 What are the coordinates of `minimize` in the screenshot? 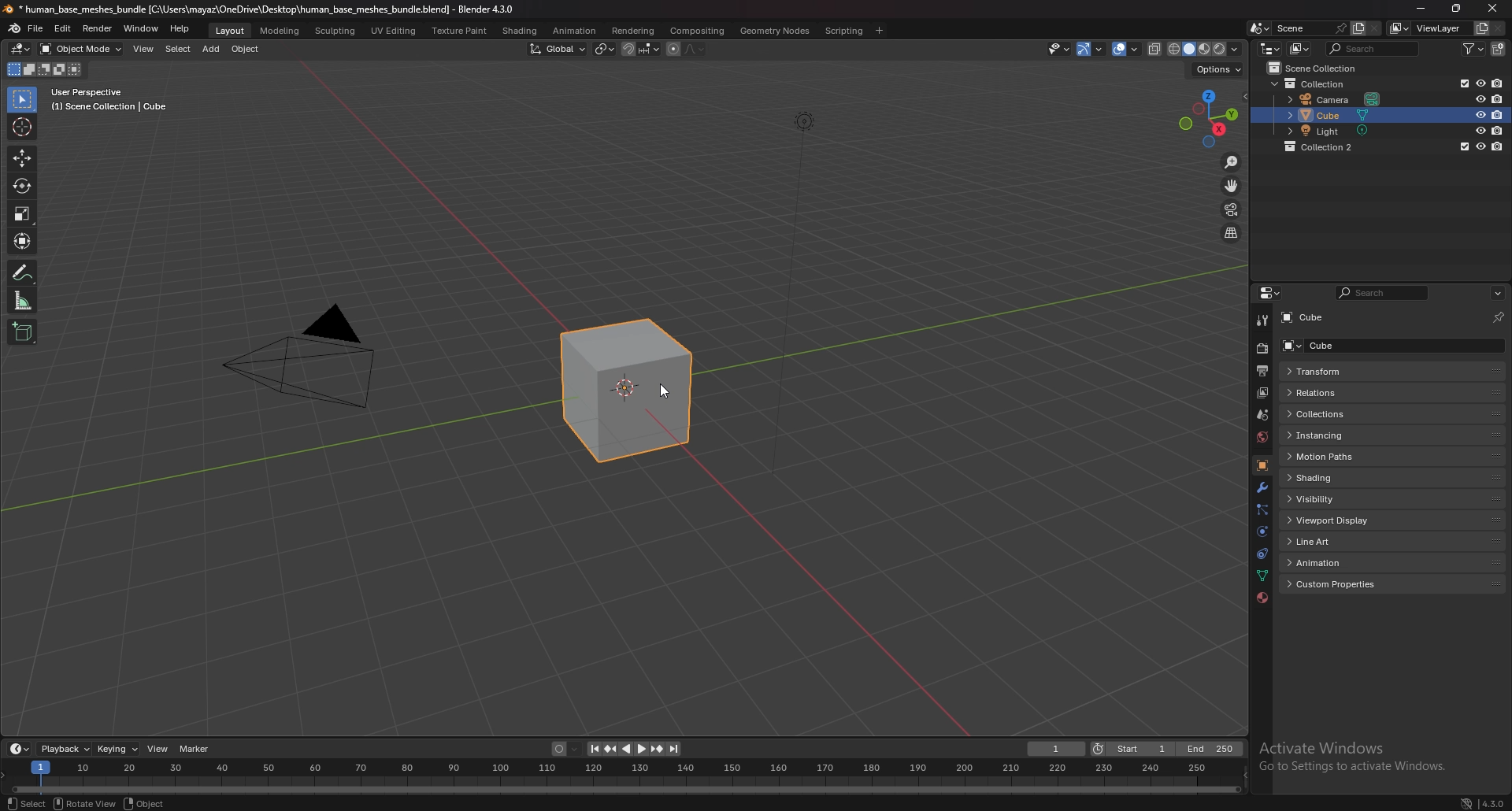 It's located at (1421, 7).